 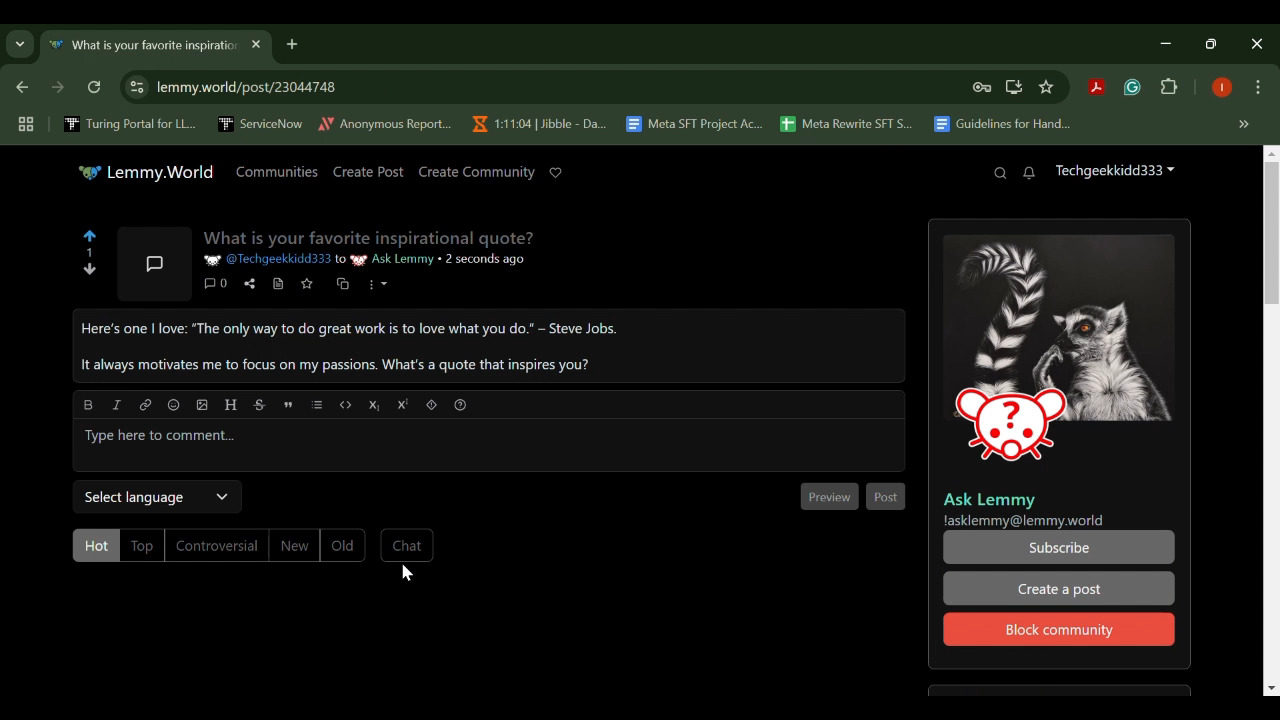 I want to click on Controversial, so click(x=214, y=546).